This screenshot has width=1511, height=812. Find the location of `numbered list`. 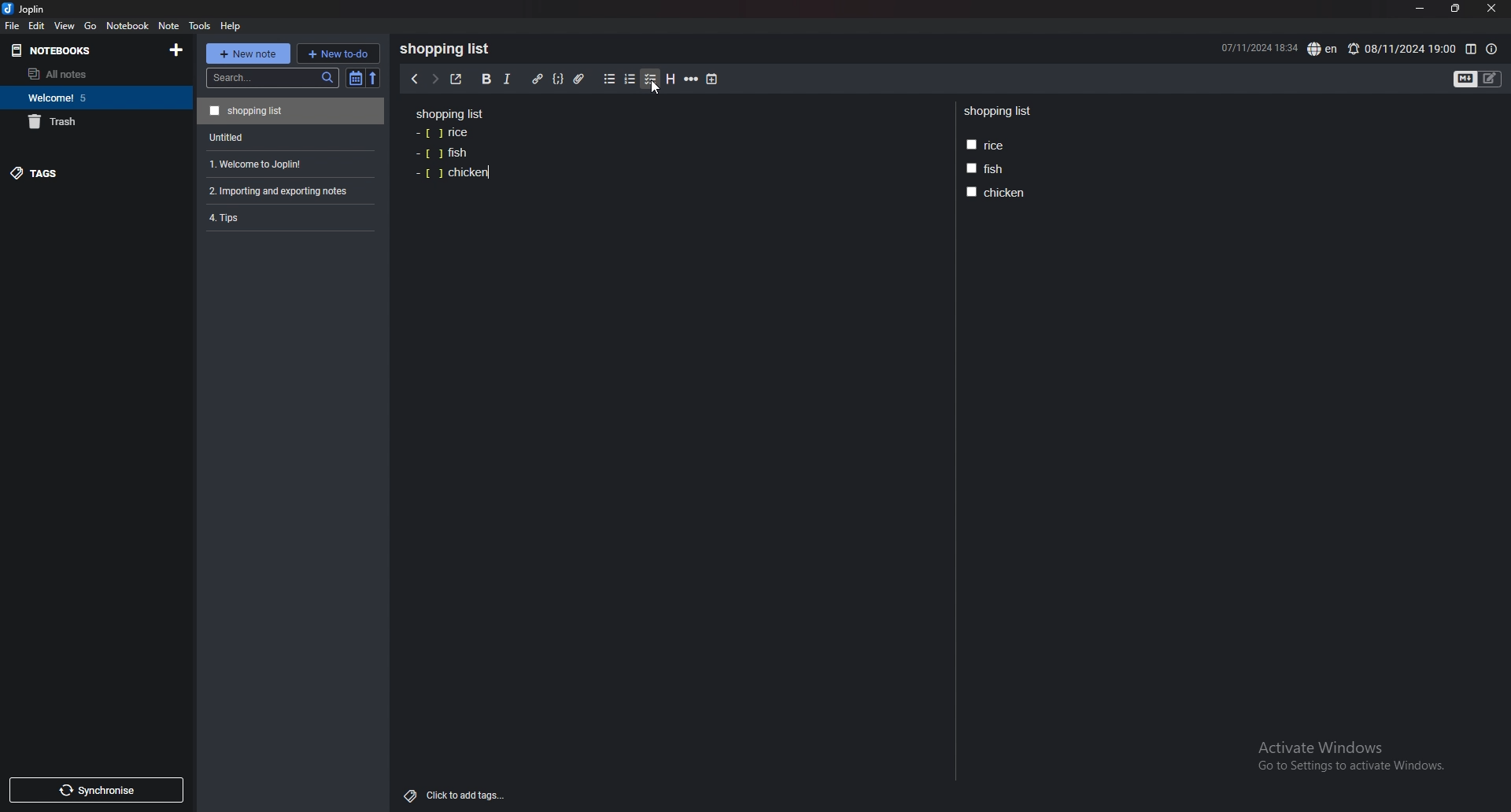

numbered list is located at coordinates (630, 79).